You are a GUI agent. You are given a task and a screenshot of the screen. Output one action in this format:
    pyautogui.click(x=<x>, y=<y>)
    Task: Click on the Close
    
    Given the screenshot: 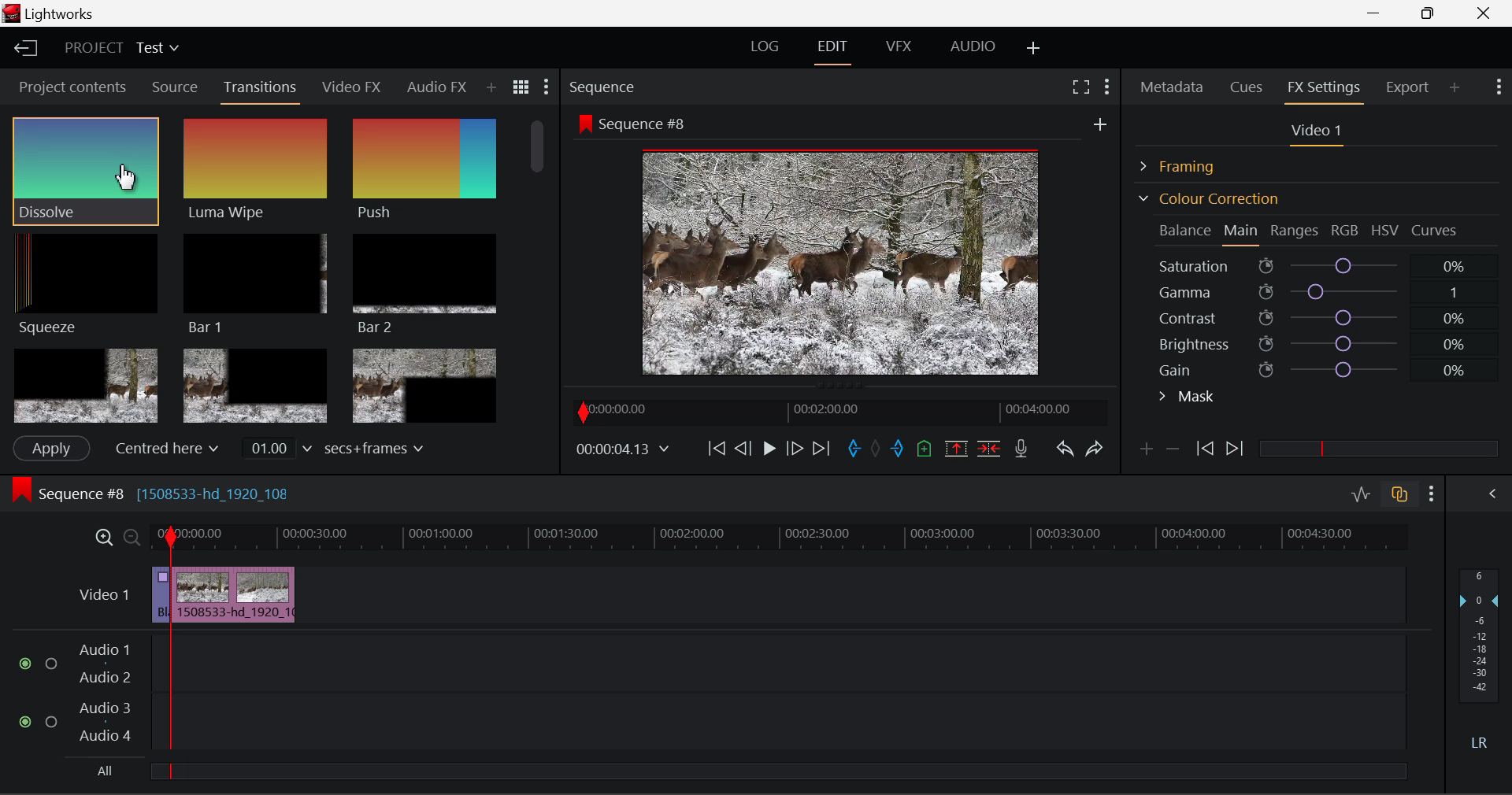 What is the action you would take?
    pyautogui.click(x=1487, y=13)
    